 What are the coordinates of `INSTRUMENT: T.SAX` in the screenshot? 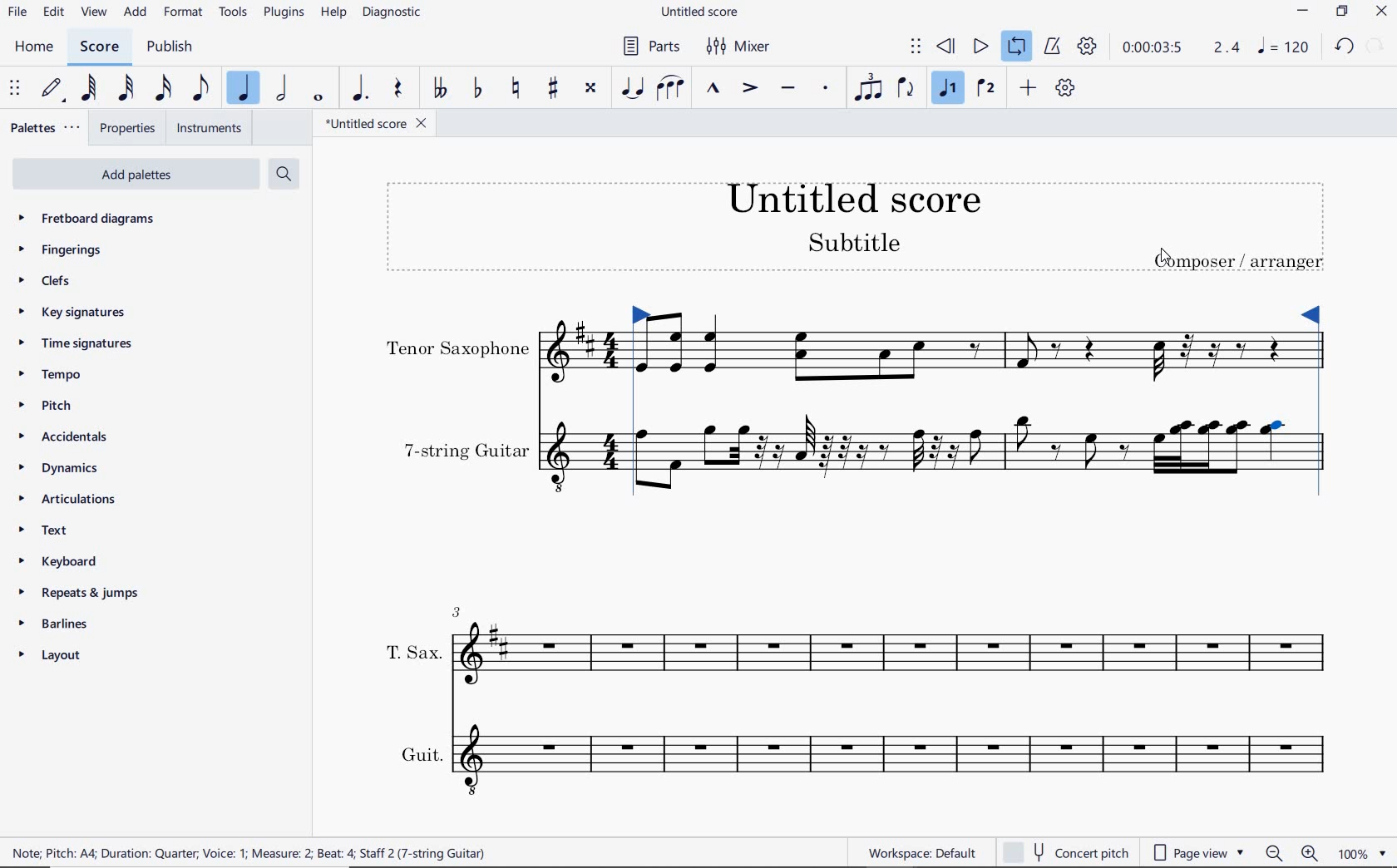 It's located at (850, 639).